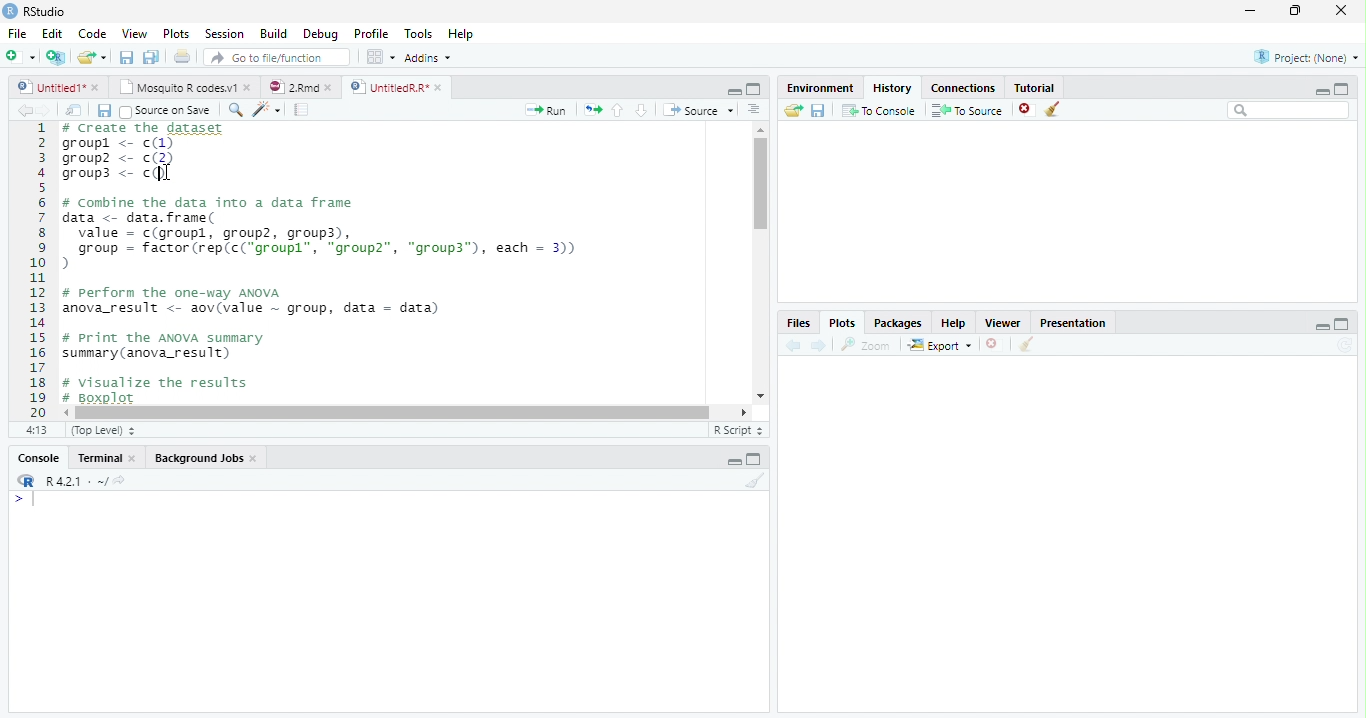 This screenshot has height=718, width=1366. Describe the element at coordinates (1005, 322) in the screenshot. I see `Viewer` at that location.